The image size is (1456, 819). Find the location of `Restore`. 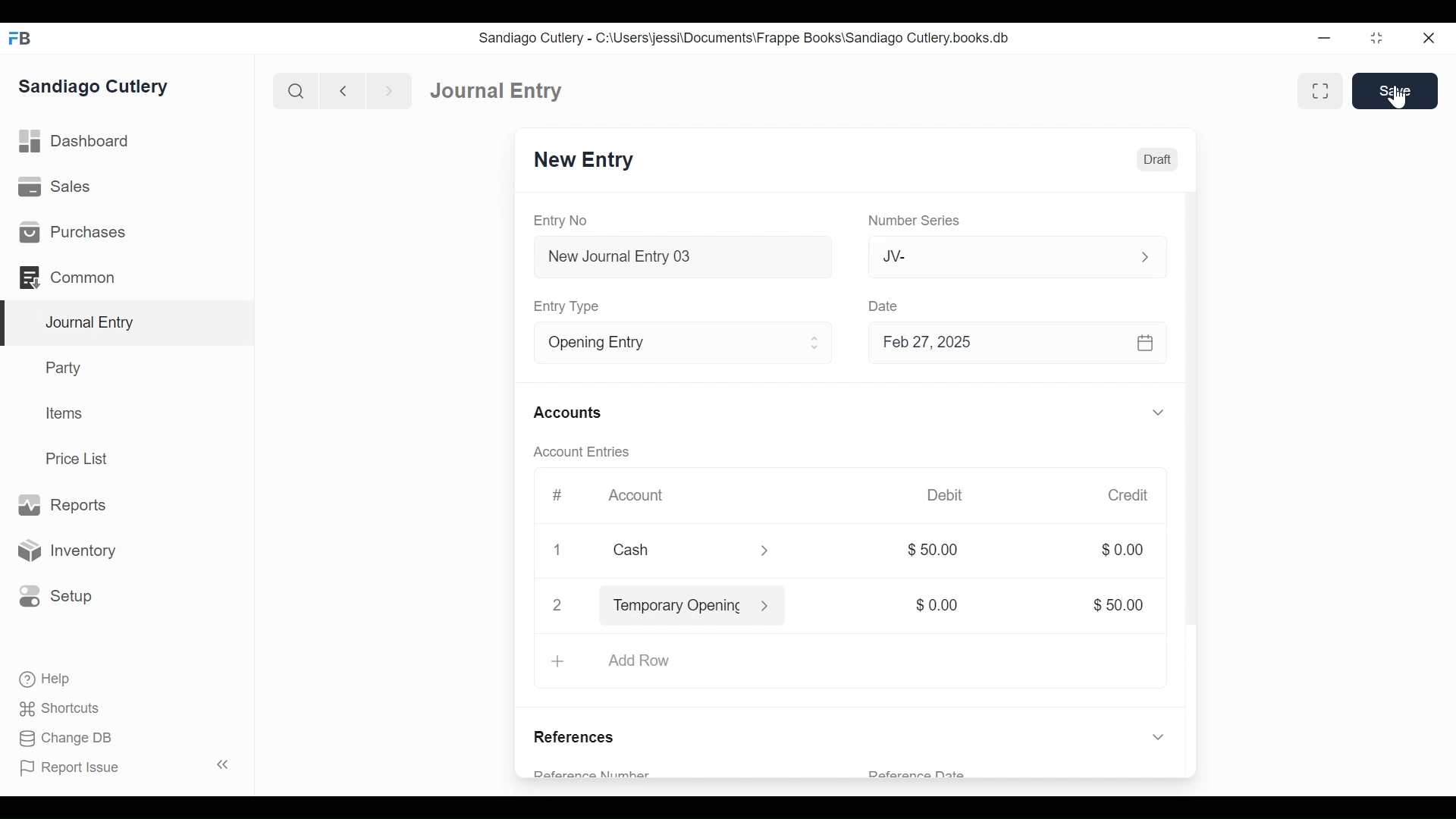

Restore is located at coordinates (1376, 37).